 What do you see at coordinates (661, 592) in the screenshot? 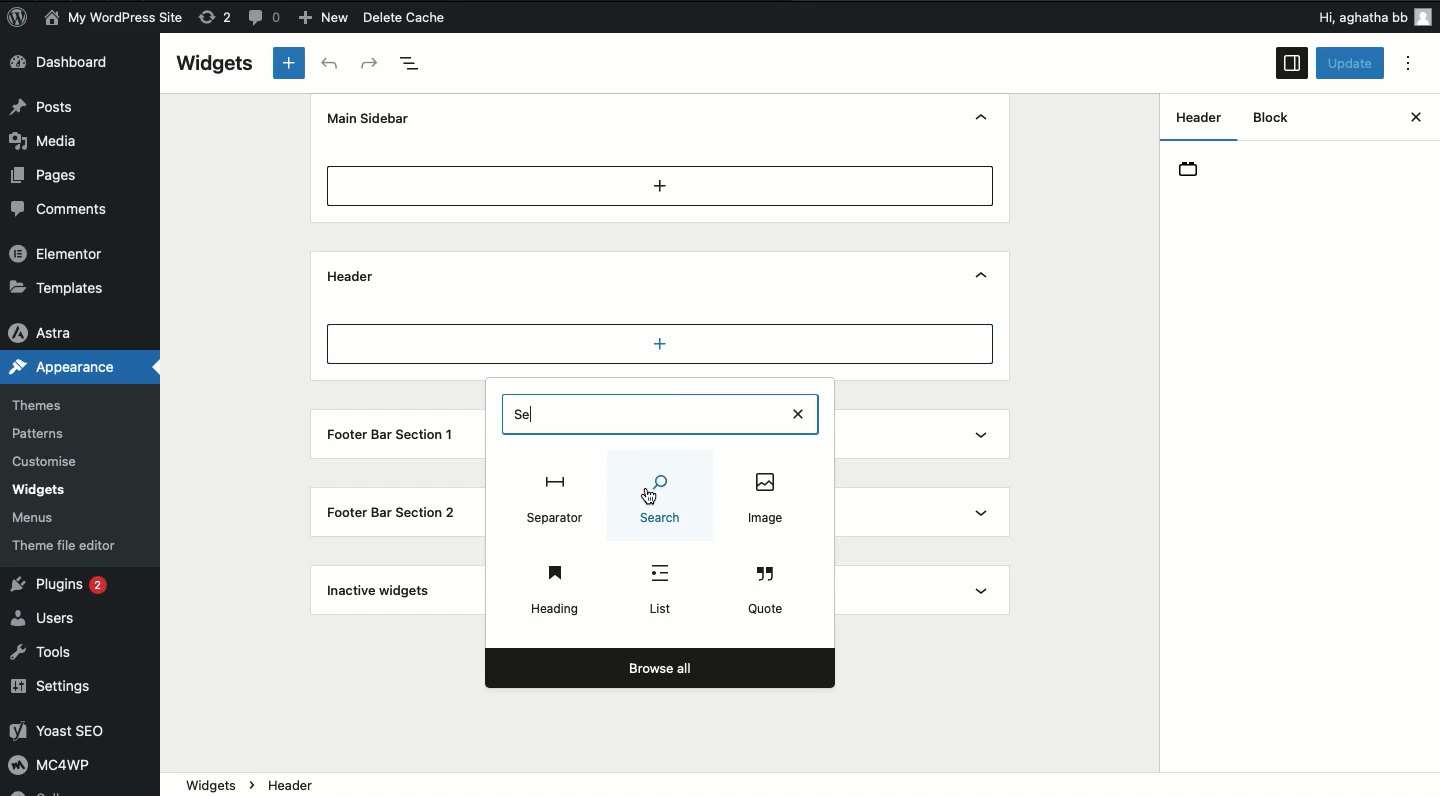
I see `Custom HTML` at bounding box center [661, 592].